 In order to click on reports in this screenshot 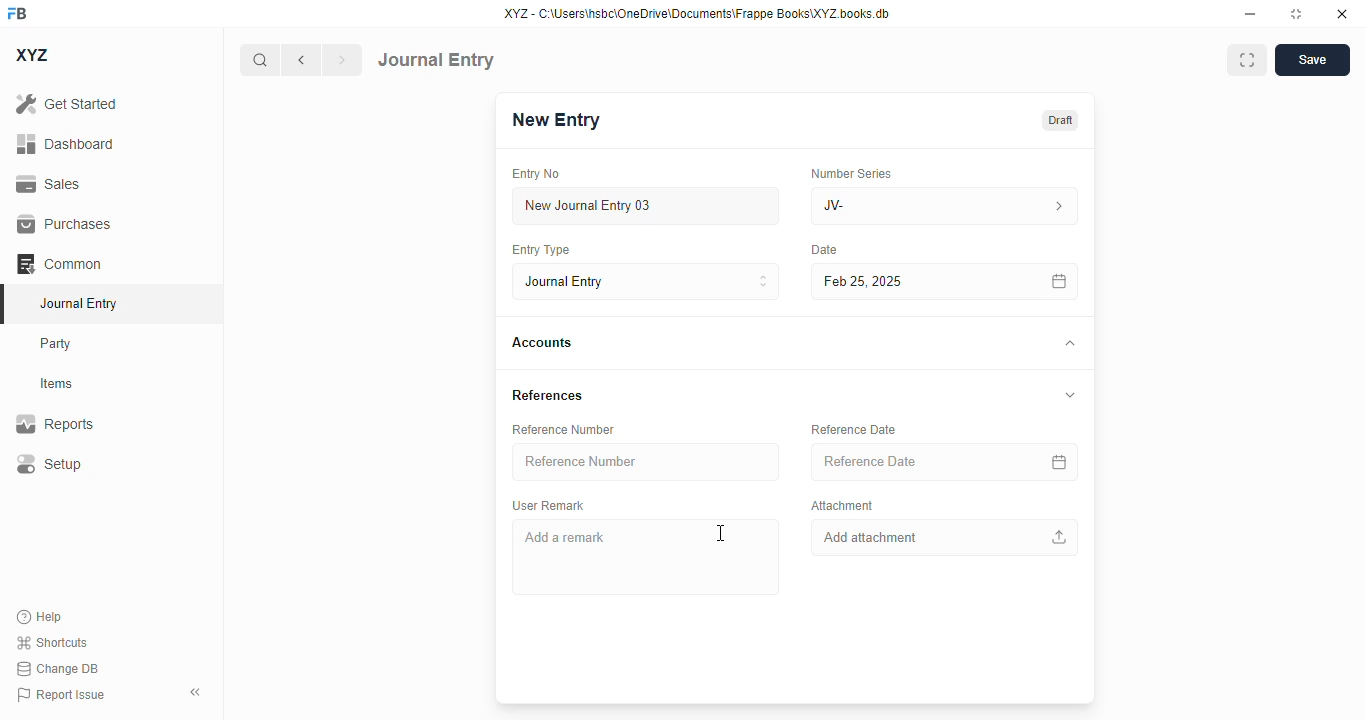, I will do `click(55, 423)`.